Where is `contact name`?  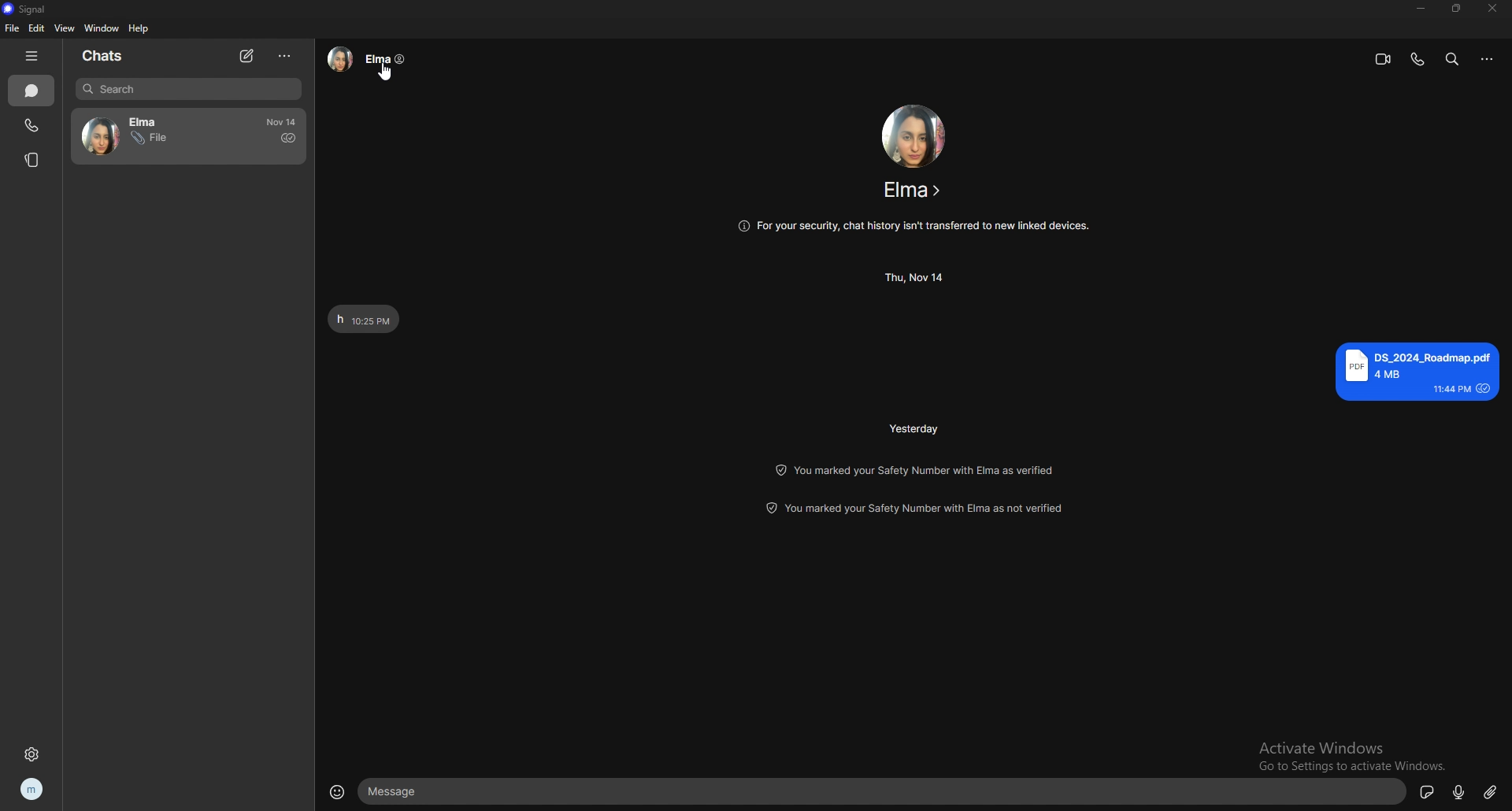 contact name is located at coordinates (913, 187).